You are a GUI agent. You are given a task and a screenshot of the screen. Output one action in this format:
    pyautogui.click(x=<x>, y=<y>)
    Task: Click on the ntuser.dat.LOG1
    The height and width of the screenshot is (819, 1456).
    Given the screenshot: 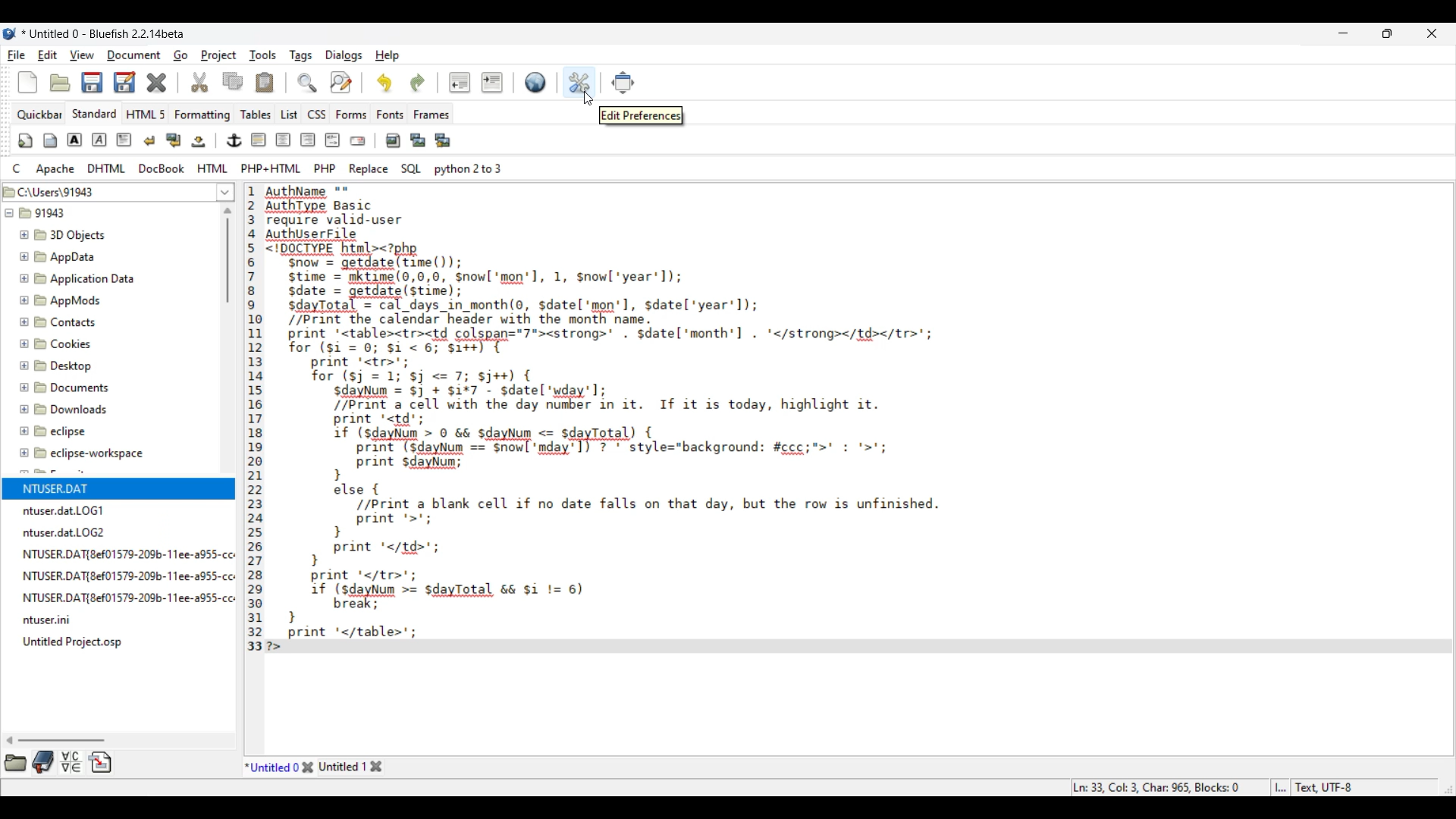 What is the action you would take?
    pyautogui.click(x=70, y=509)
    